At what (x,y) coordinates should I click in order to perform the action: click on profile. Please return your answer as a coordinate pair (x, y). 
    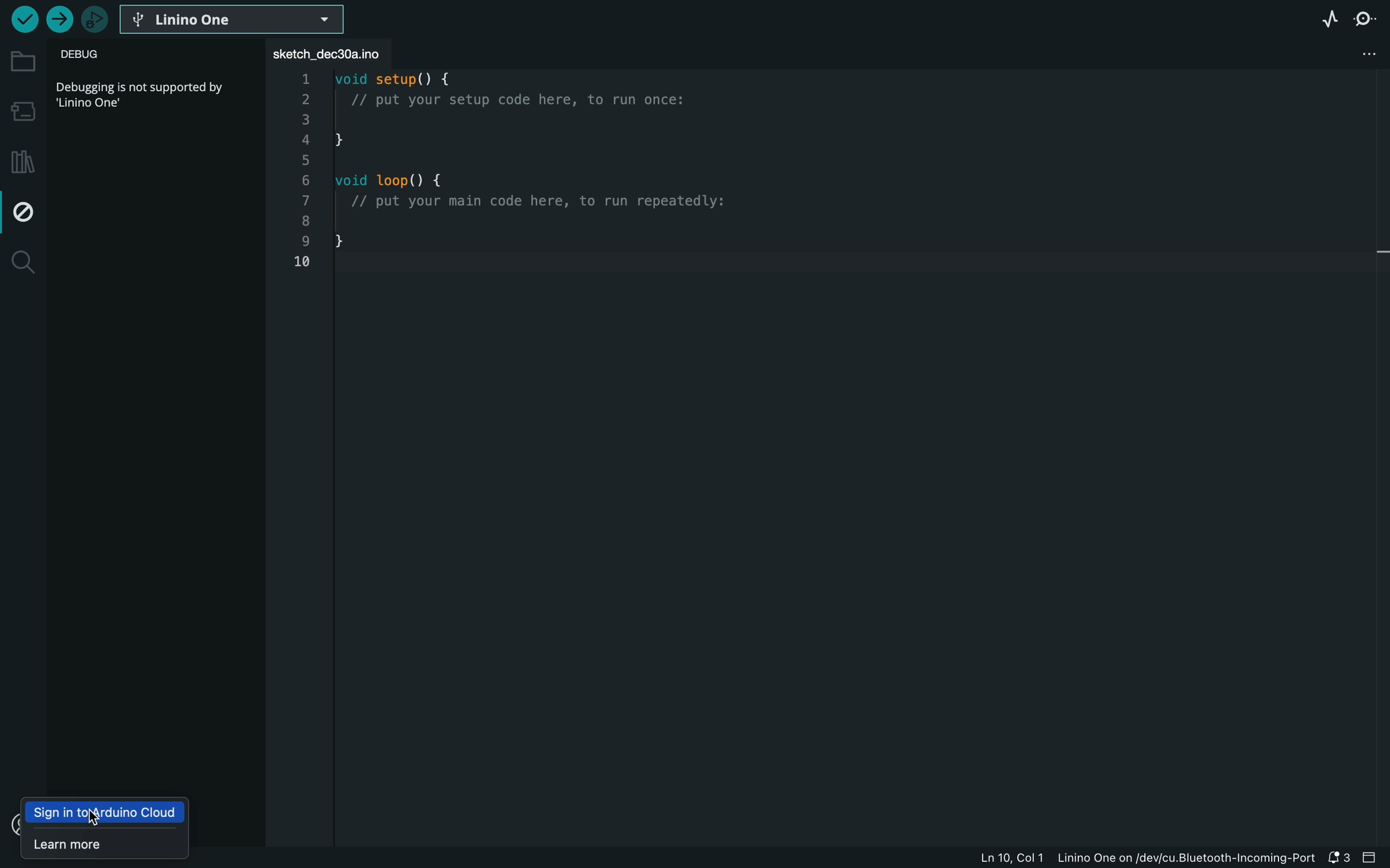
    Looking at the image, I should click on (11, 826).